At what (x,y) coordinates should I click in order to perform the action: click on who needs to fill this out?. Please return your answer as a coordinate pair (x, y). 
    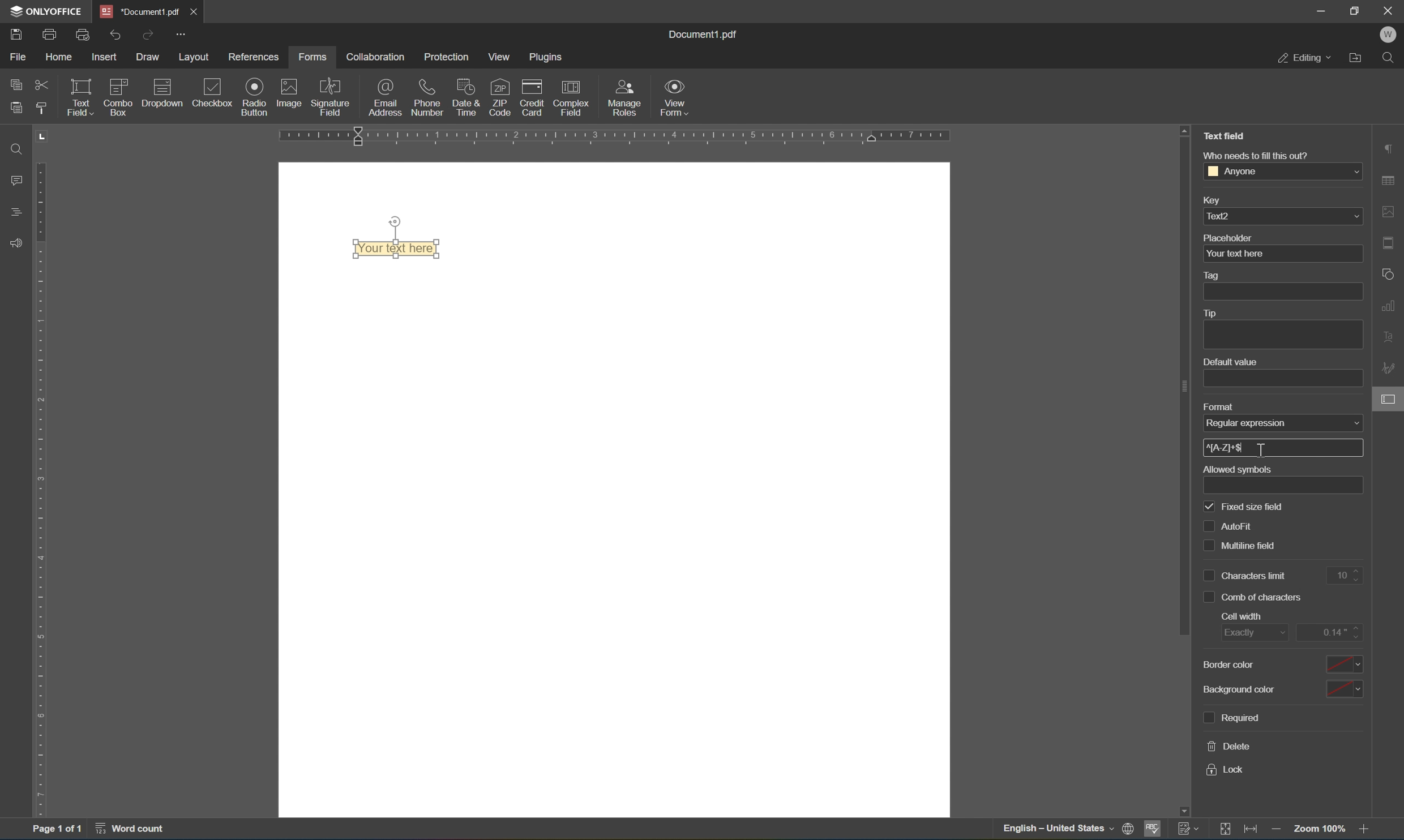
    Looking at the image, I should click on (1258, 155).